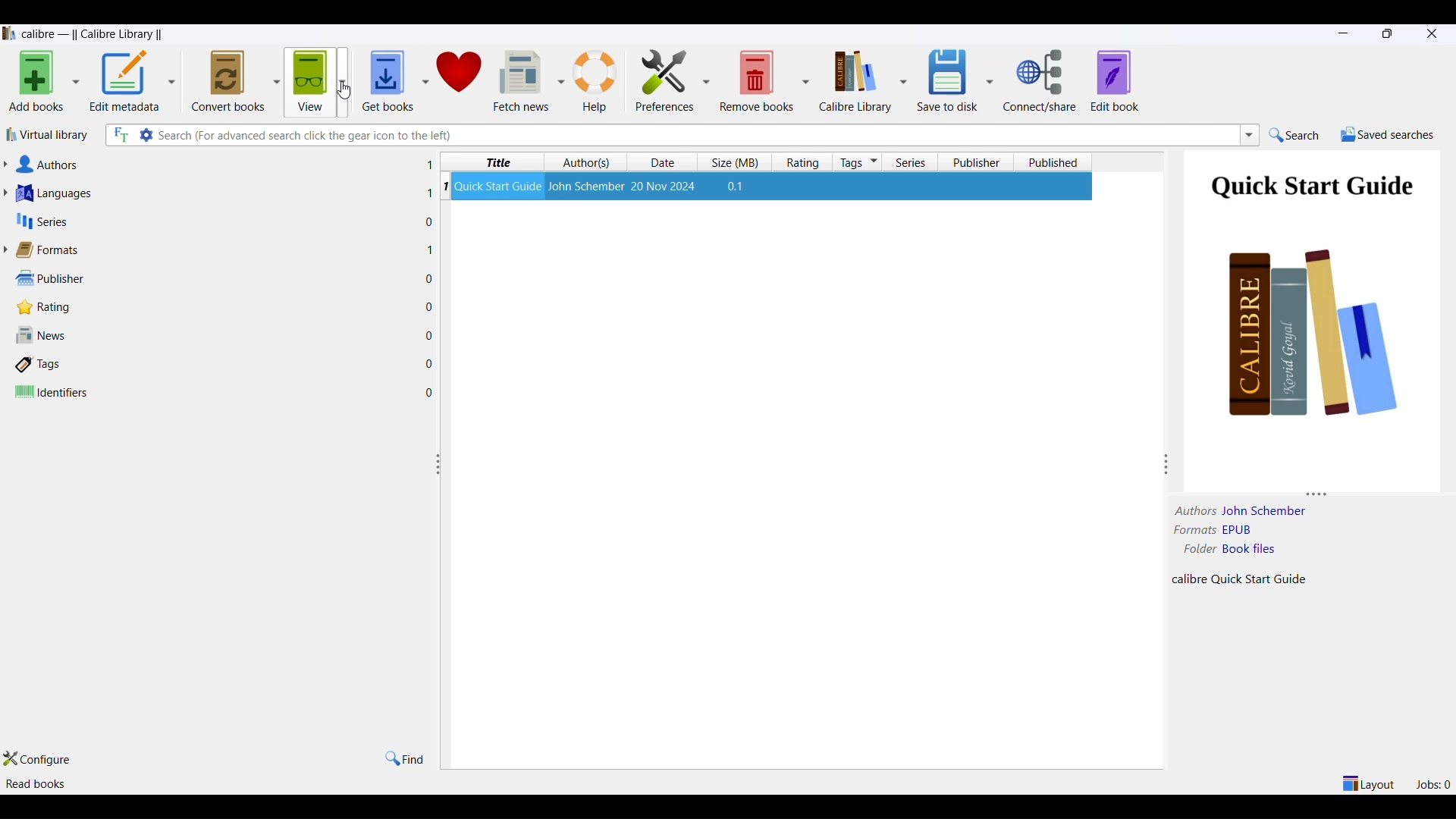  I want to click on calibre library, so click(854, 81).